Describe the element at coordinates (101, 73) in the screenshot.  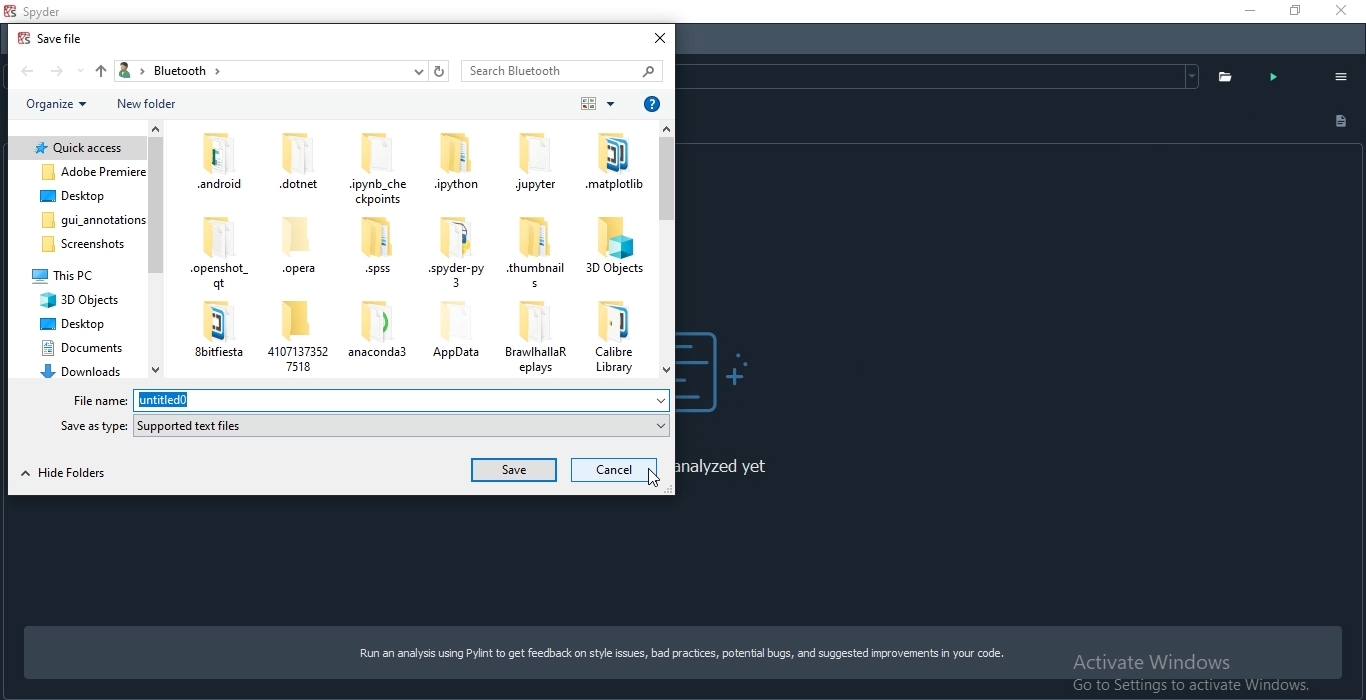
I see `up folder` at that location.